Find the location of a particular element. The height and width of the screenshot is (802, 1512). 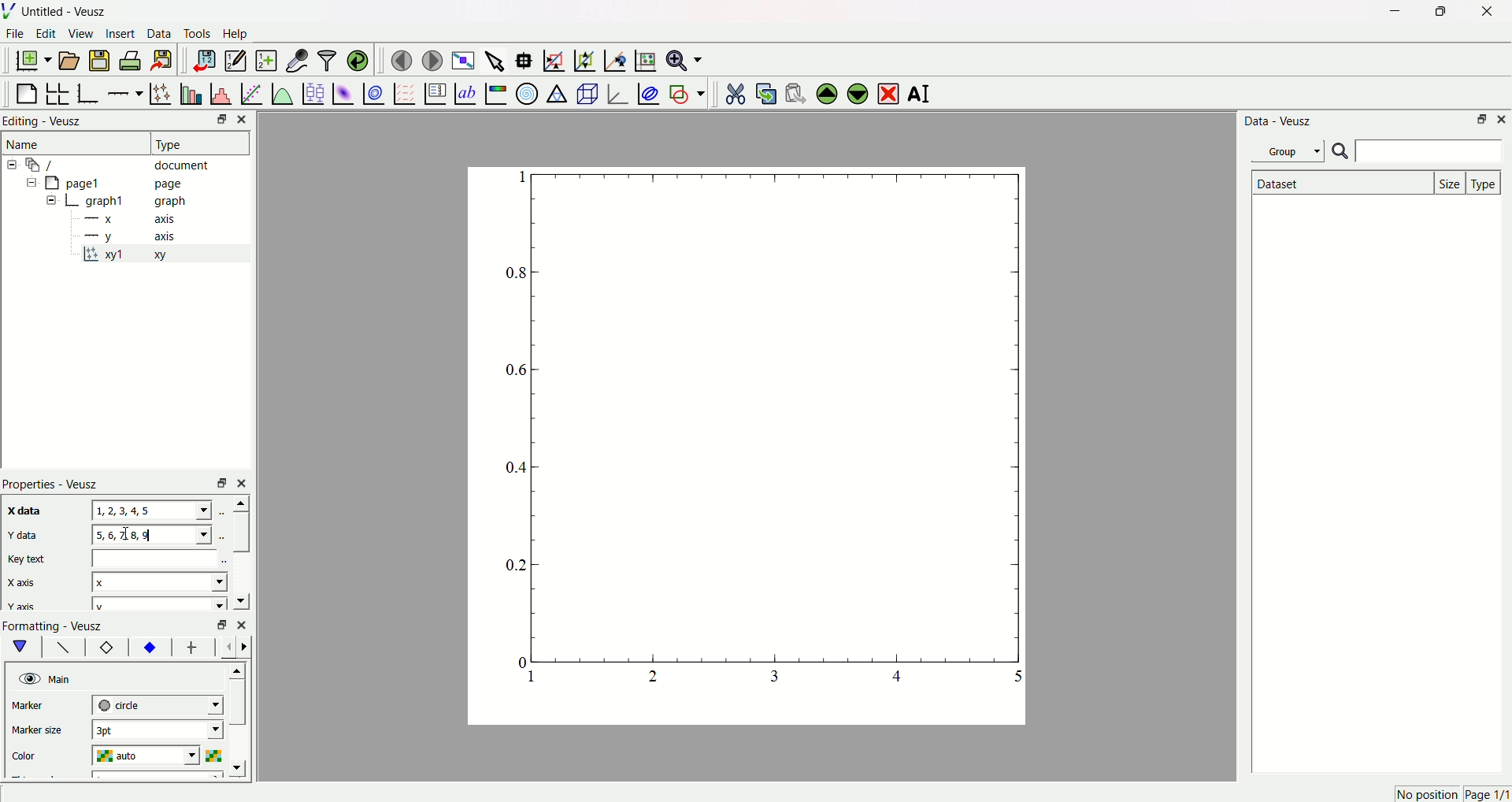

graph1 graph is located at coordinates (137, 202).